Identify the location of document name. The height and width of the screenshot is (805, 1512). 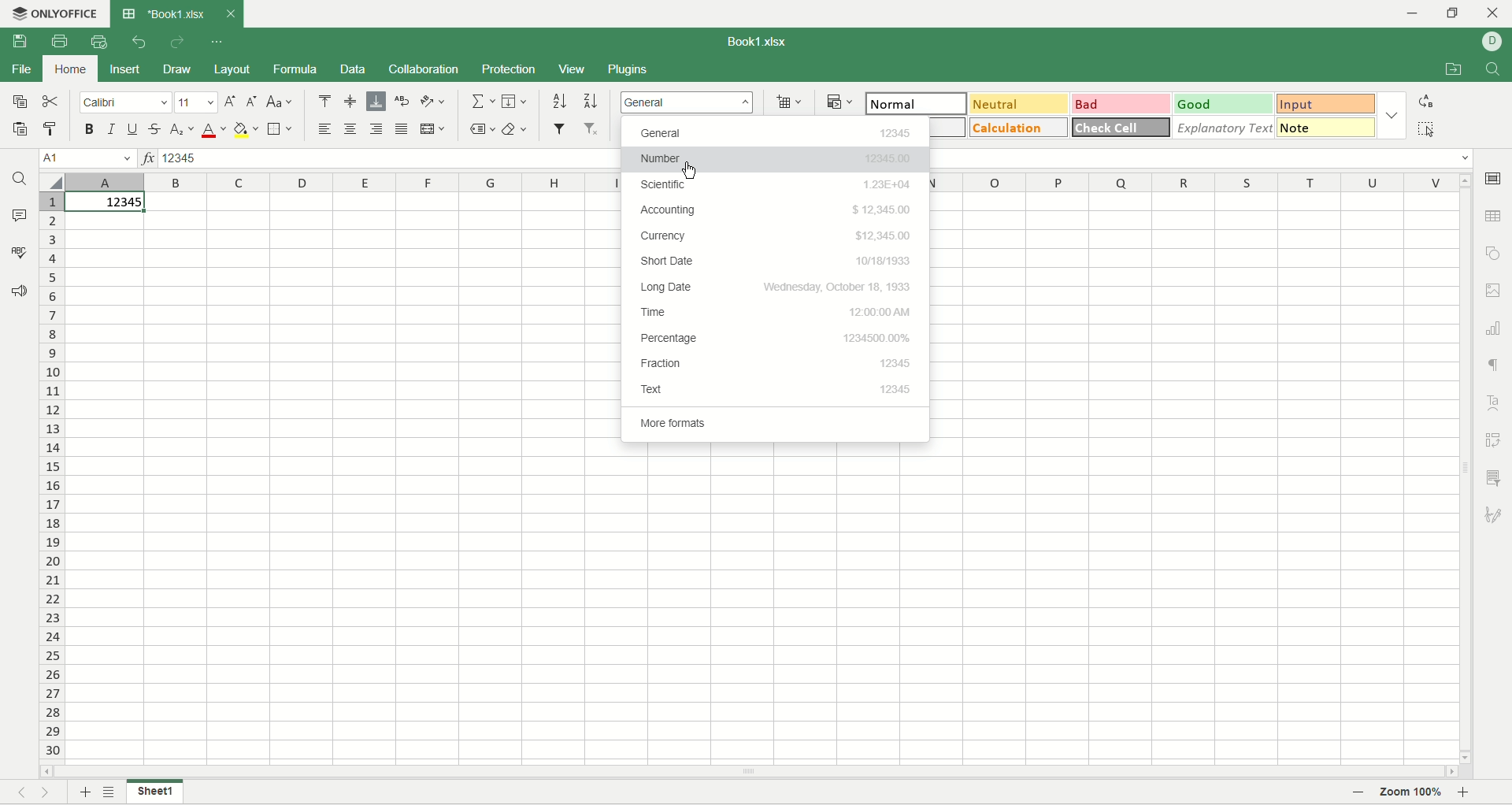
(759, 42).